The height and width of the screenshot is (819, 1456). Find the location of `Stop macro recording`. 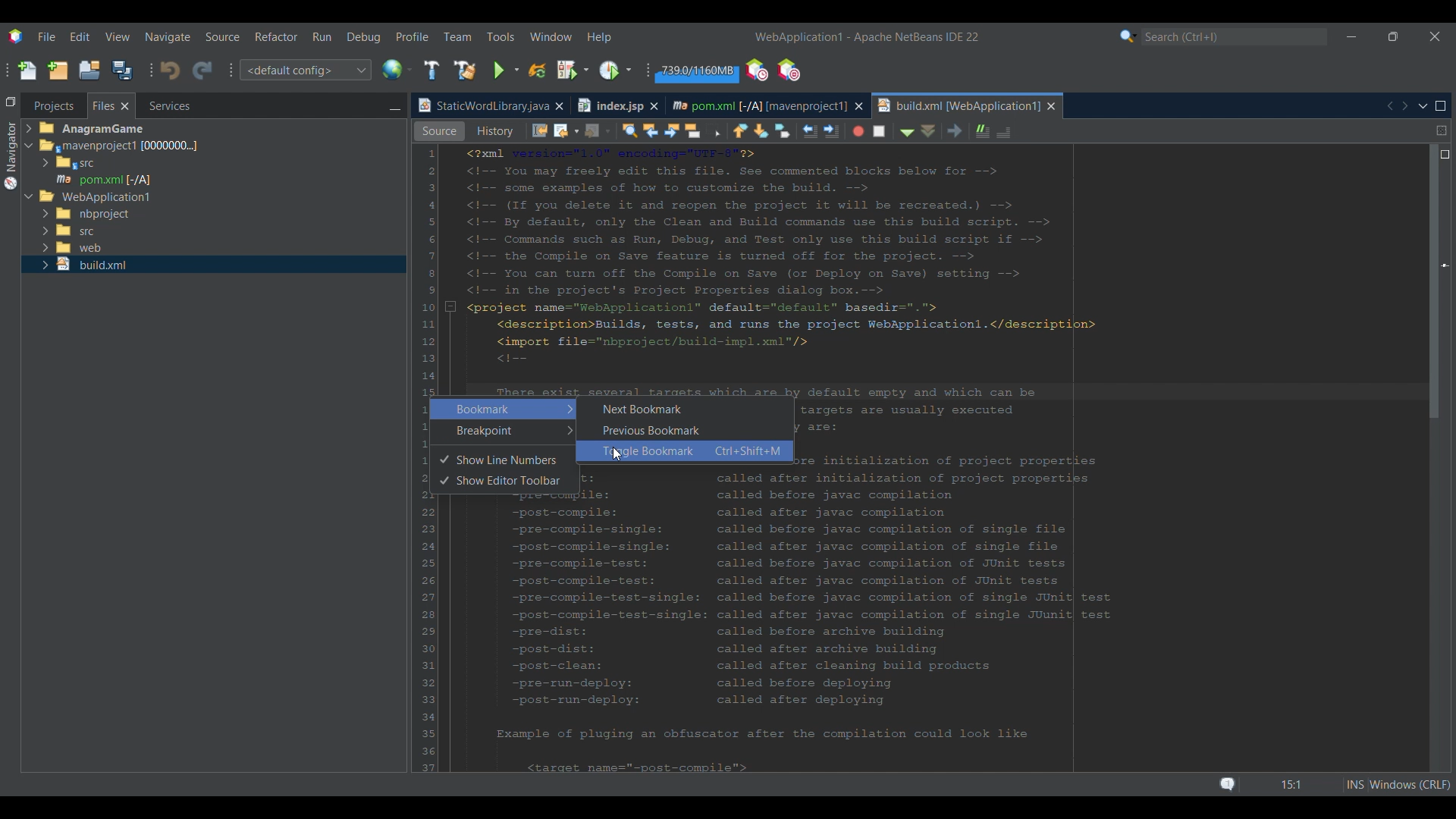

Stop macro recording is located at coordinates (1019, 130).